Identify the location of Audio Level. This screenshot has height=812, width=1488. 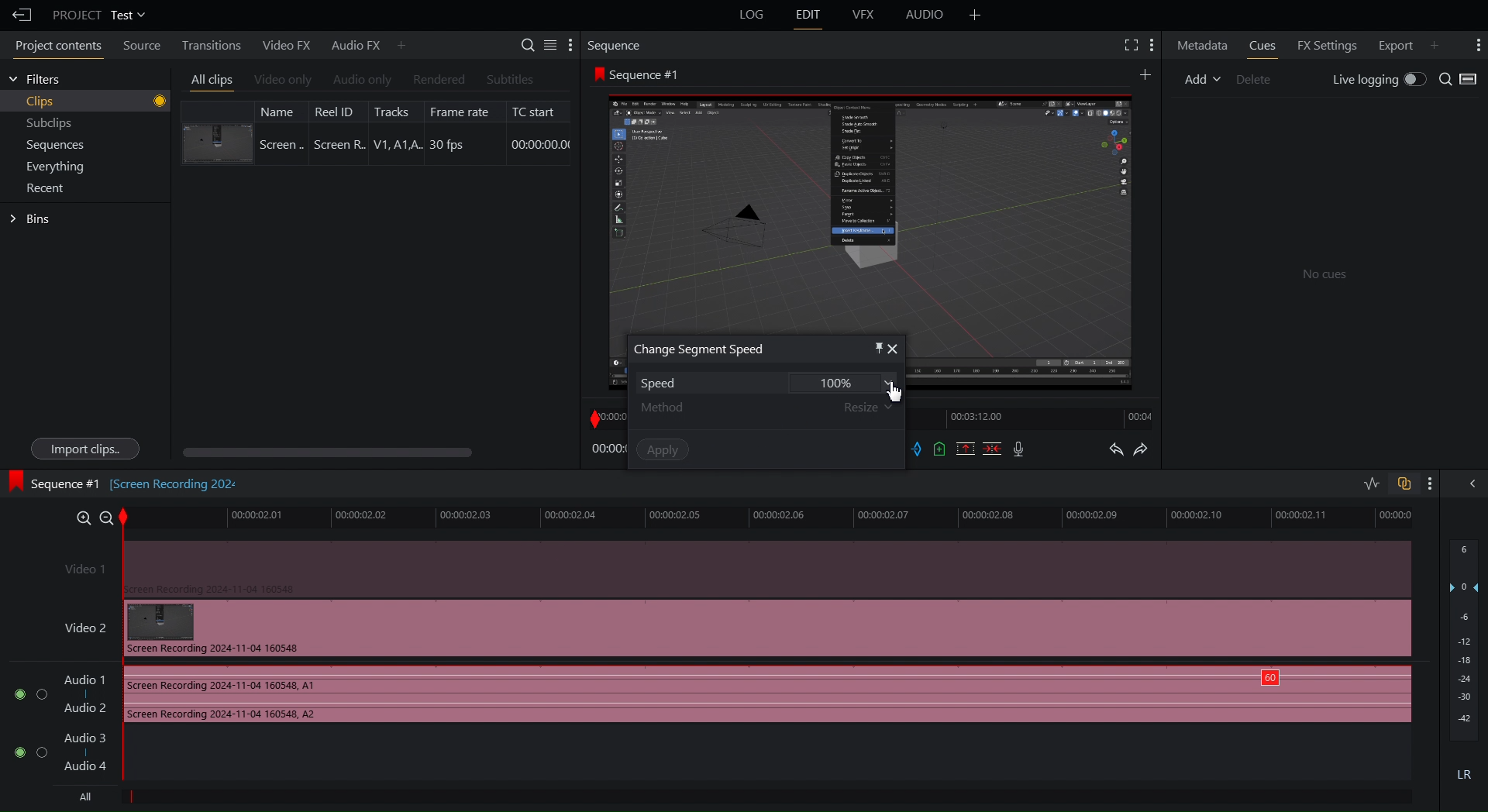
(1465, 664).